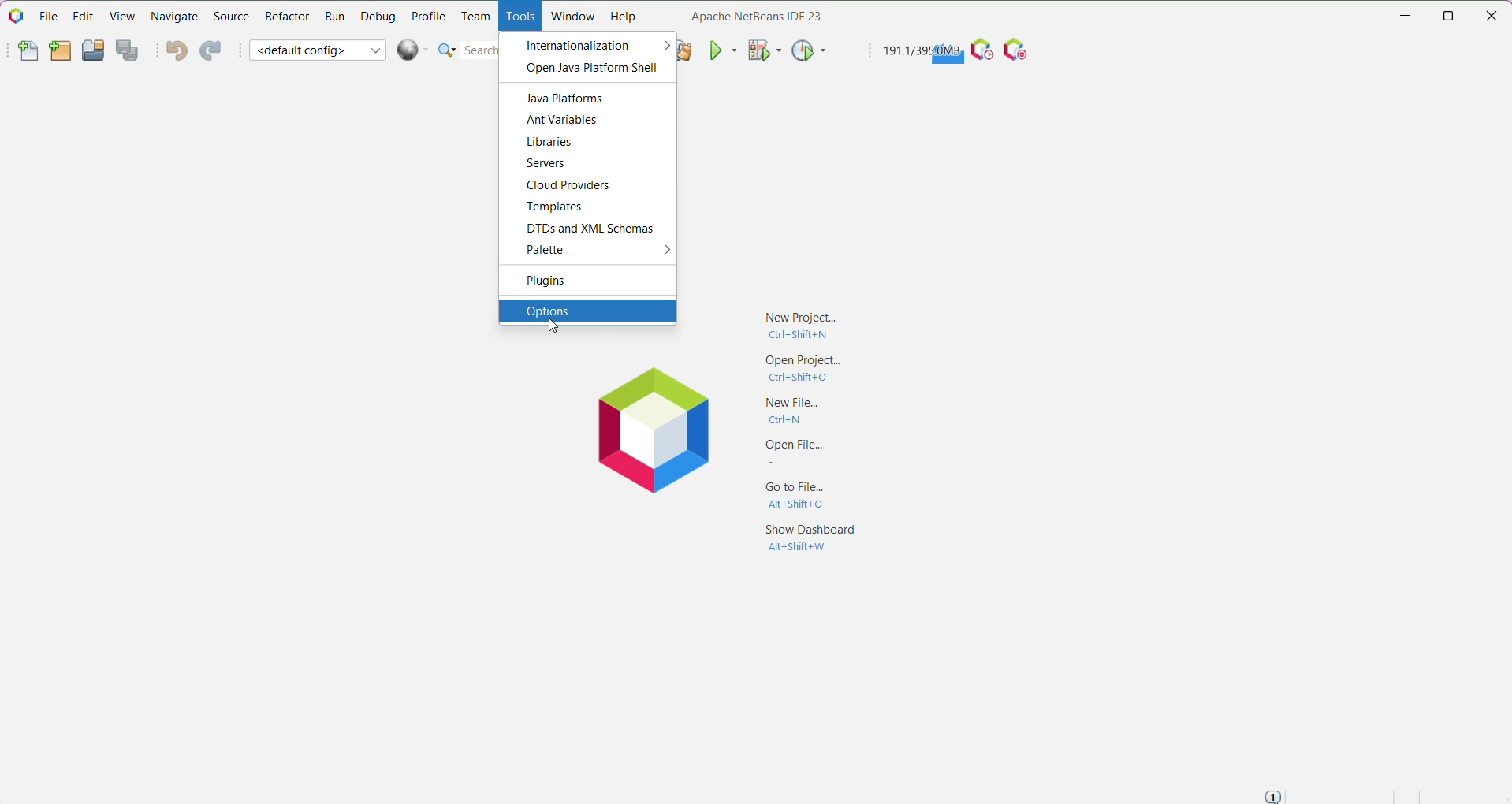 The width and height of the screenshot is (1512, 804). What do you see at coordinates (129, 50) in the screenshot?
I see `Save All` at bounding box center [129, 50].